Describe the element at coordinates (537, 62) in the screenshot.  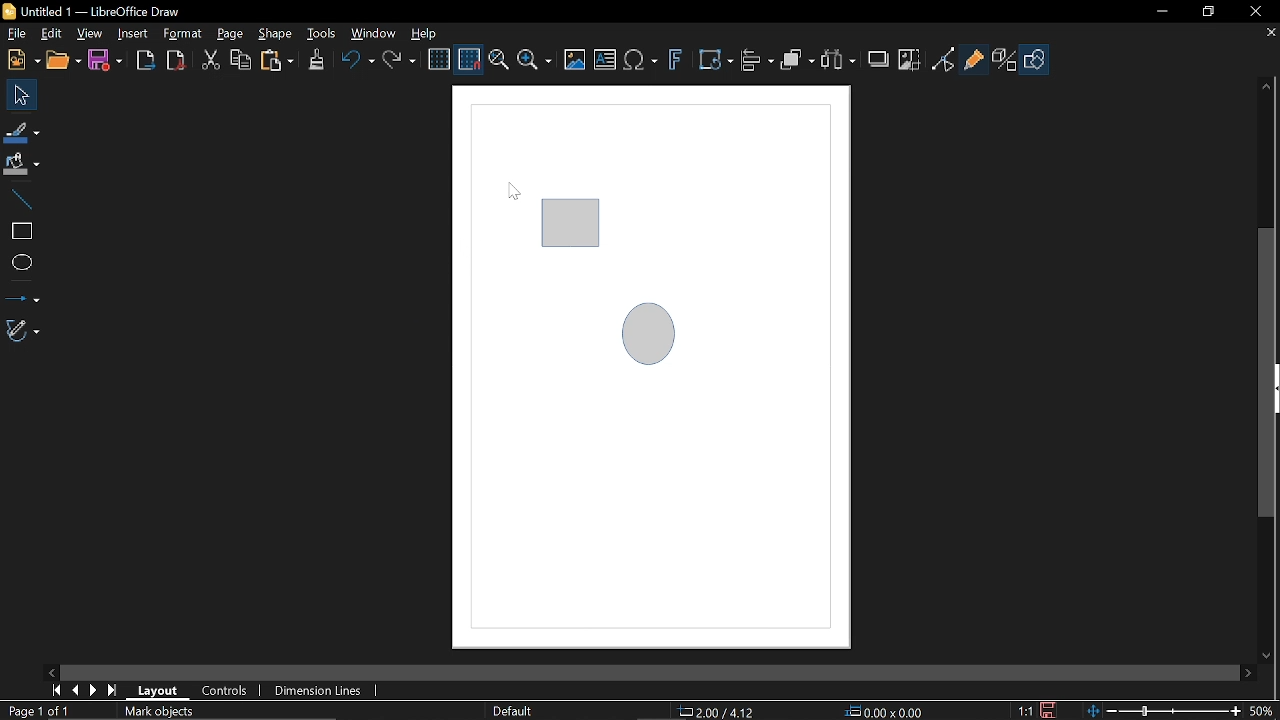
I see `Zoom` at that location.